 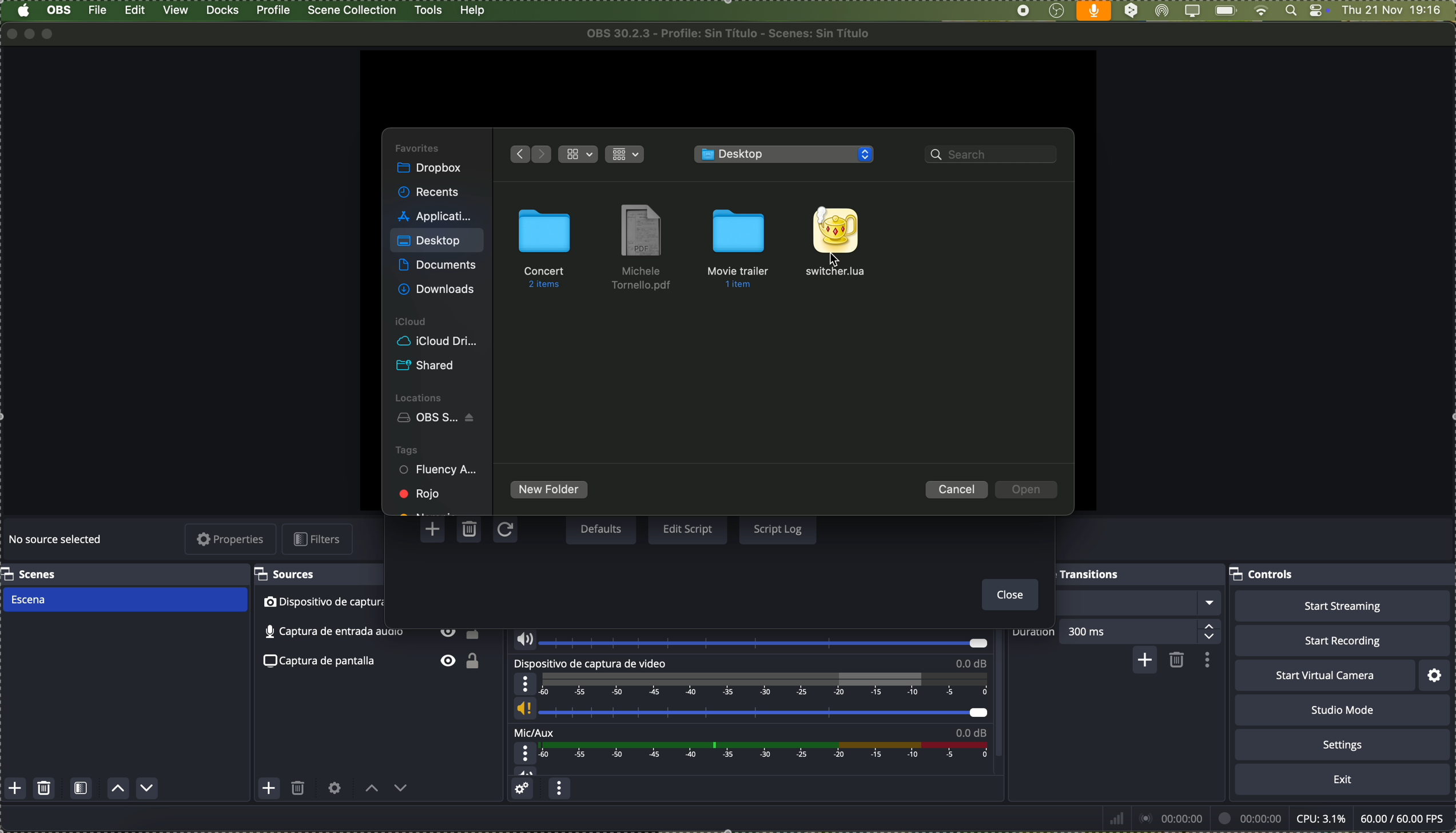 I want to click on open source properties, so click(x=335, y=788).